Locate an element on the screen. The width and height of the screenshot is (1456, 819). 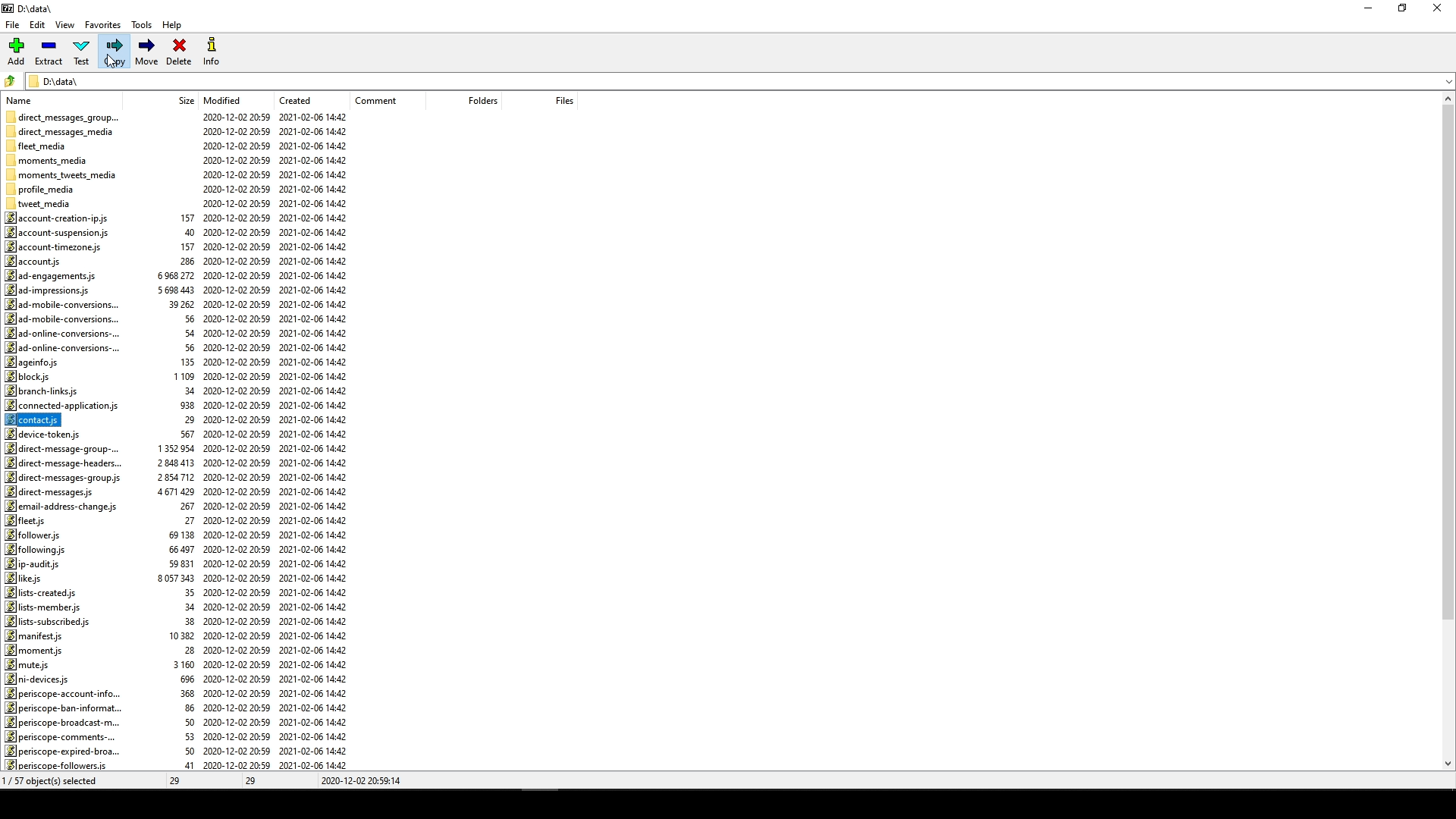
Copy is located at coordinates (115, 52).